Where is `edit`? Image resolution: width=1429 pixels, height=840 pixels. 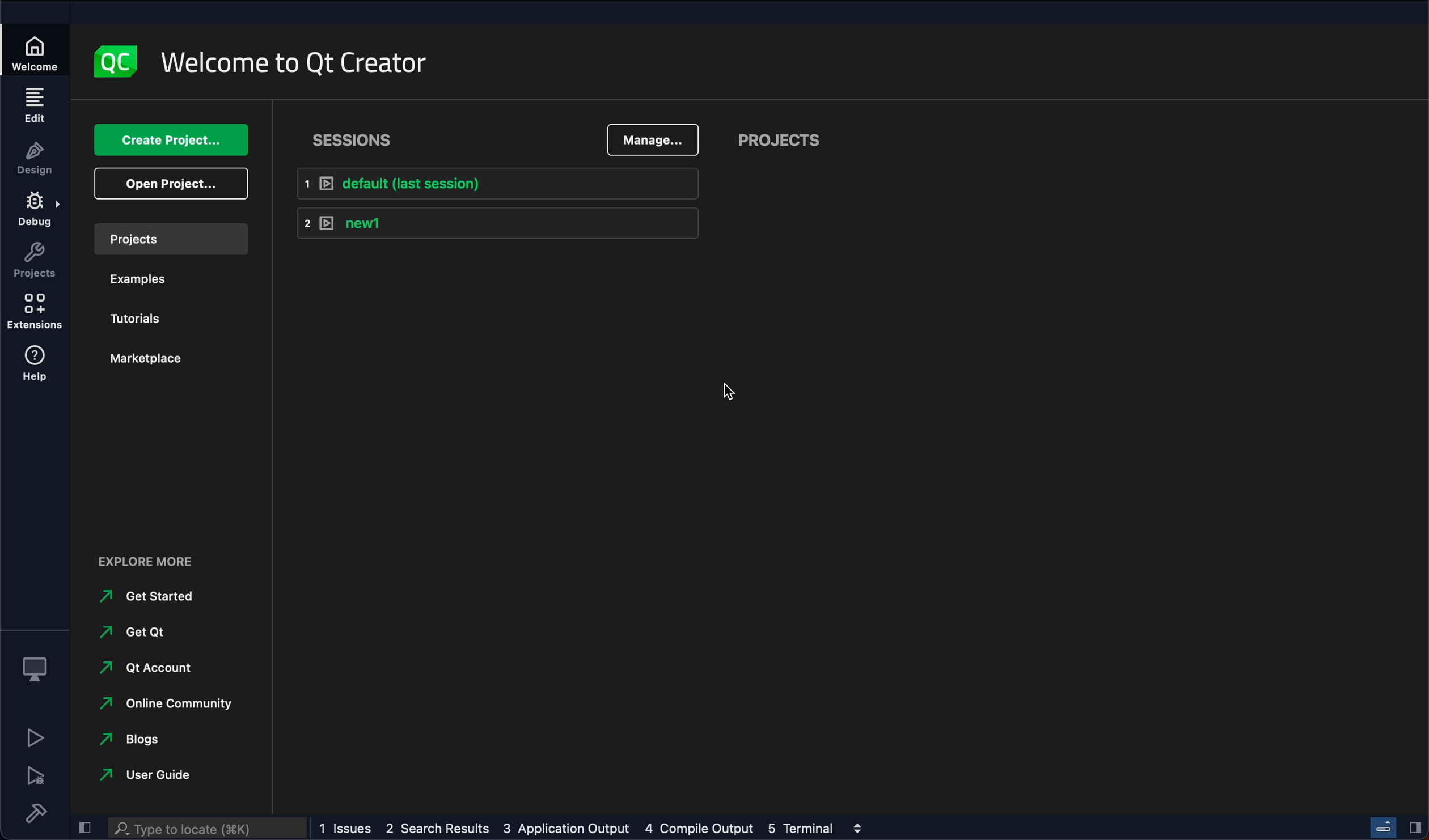 edit is located at coordinates (34, 106).